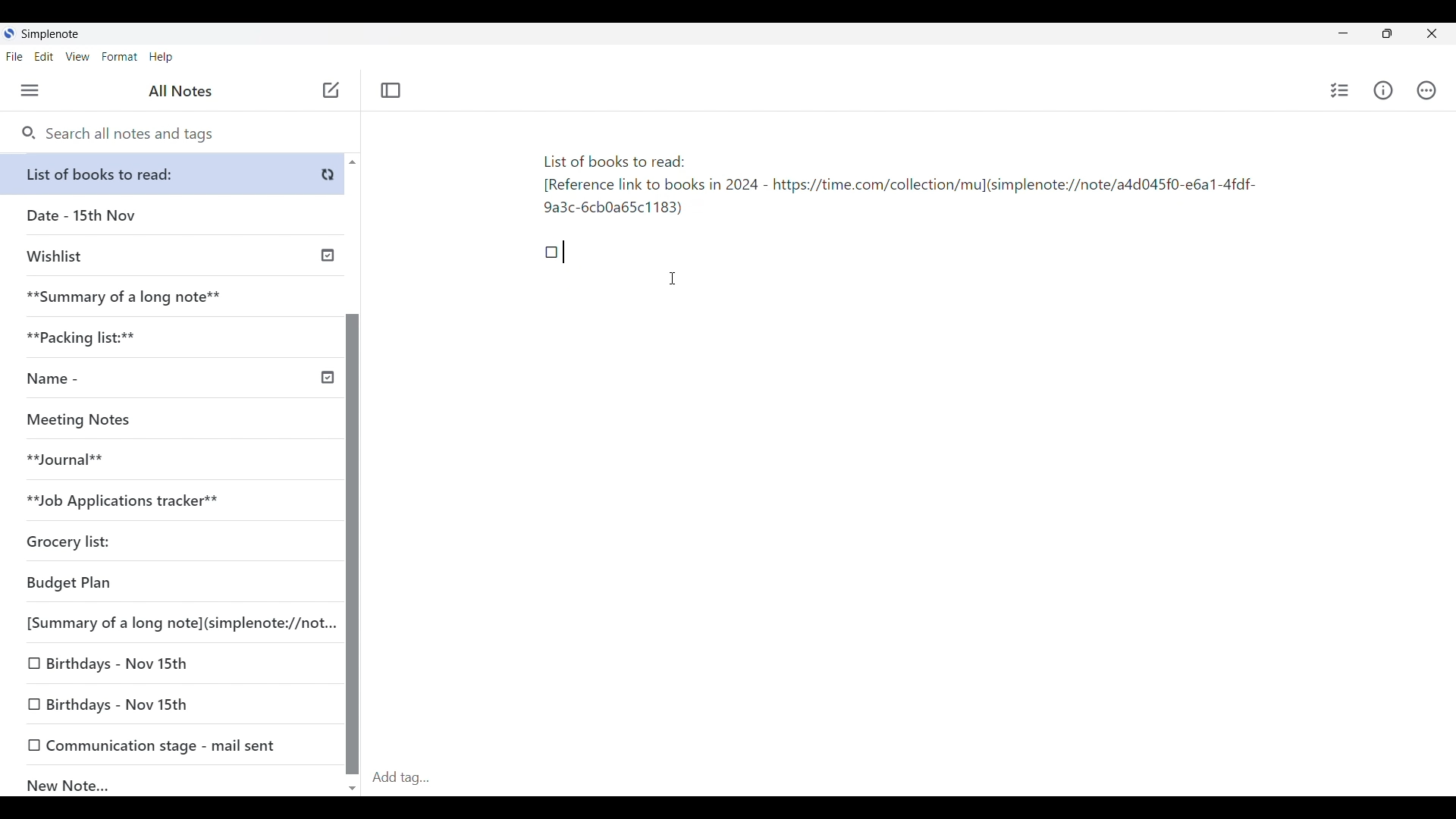  I want to click on Menu, so click(30, 91).